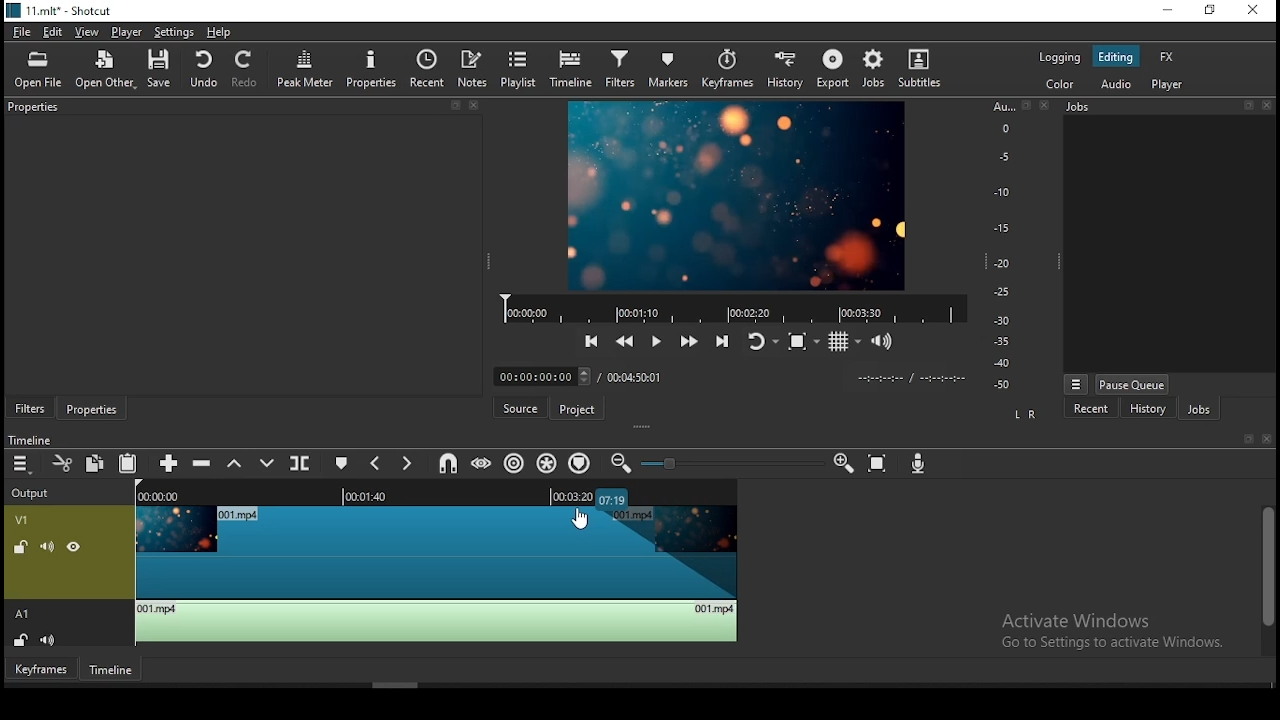 This screenshot has width=1280, height=720. What do you see at coordinates (1210, 11) in the screenshot?
I see `restore` at bounding box center [1210, 11].